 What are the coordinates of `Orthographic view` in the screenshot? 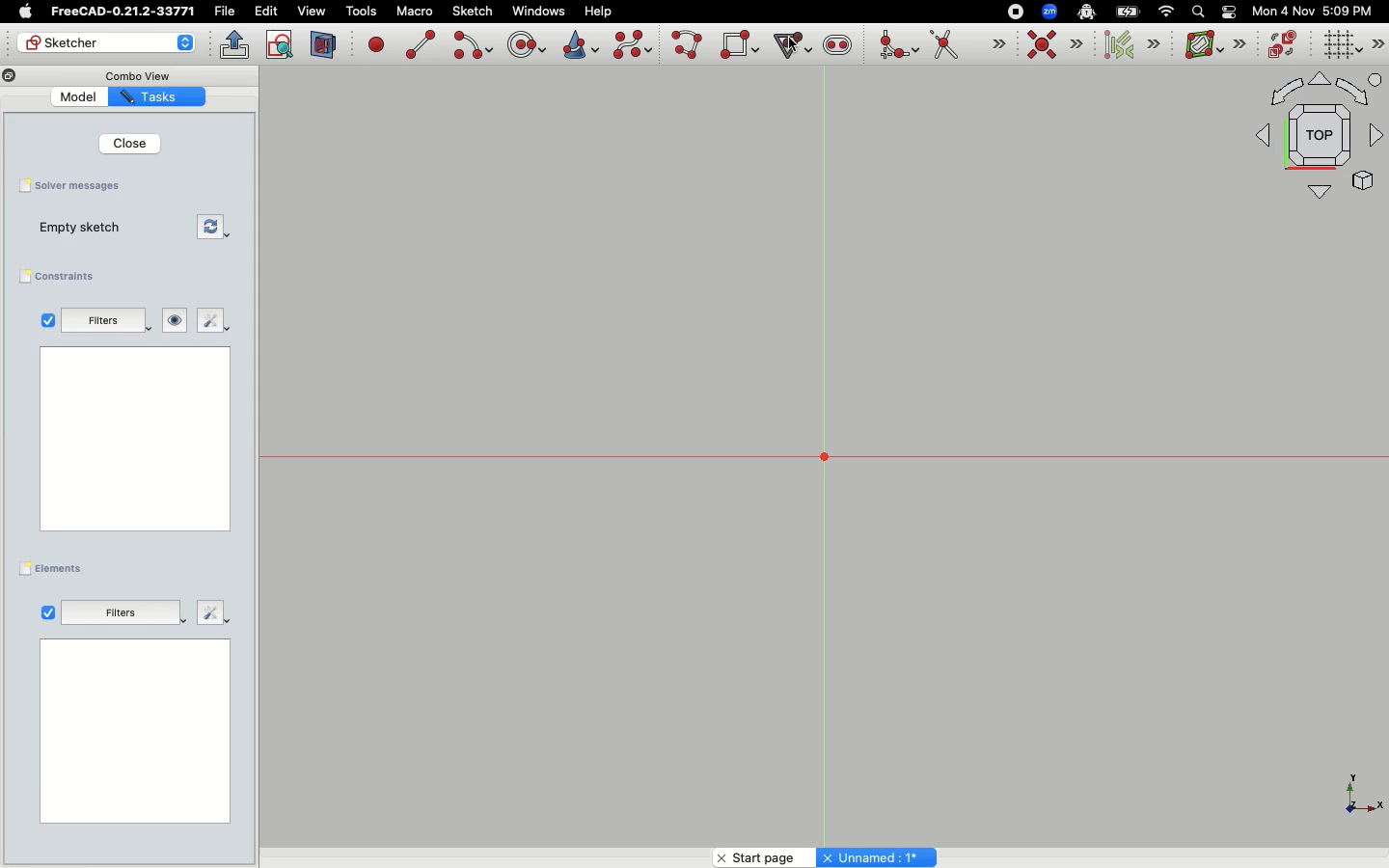 It's located at (1316, 137).